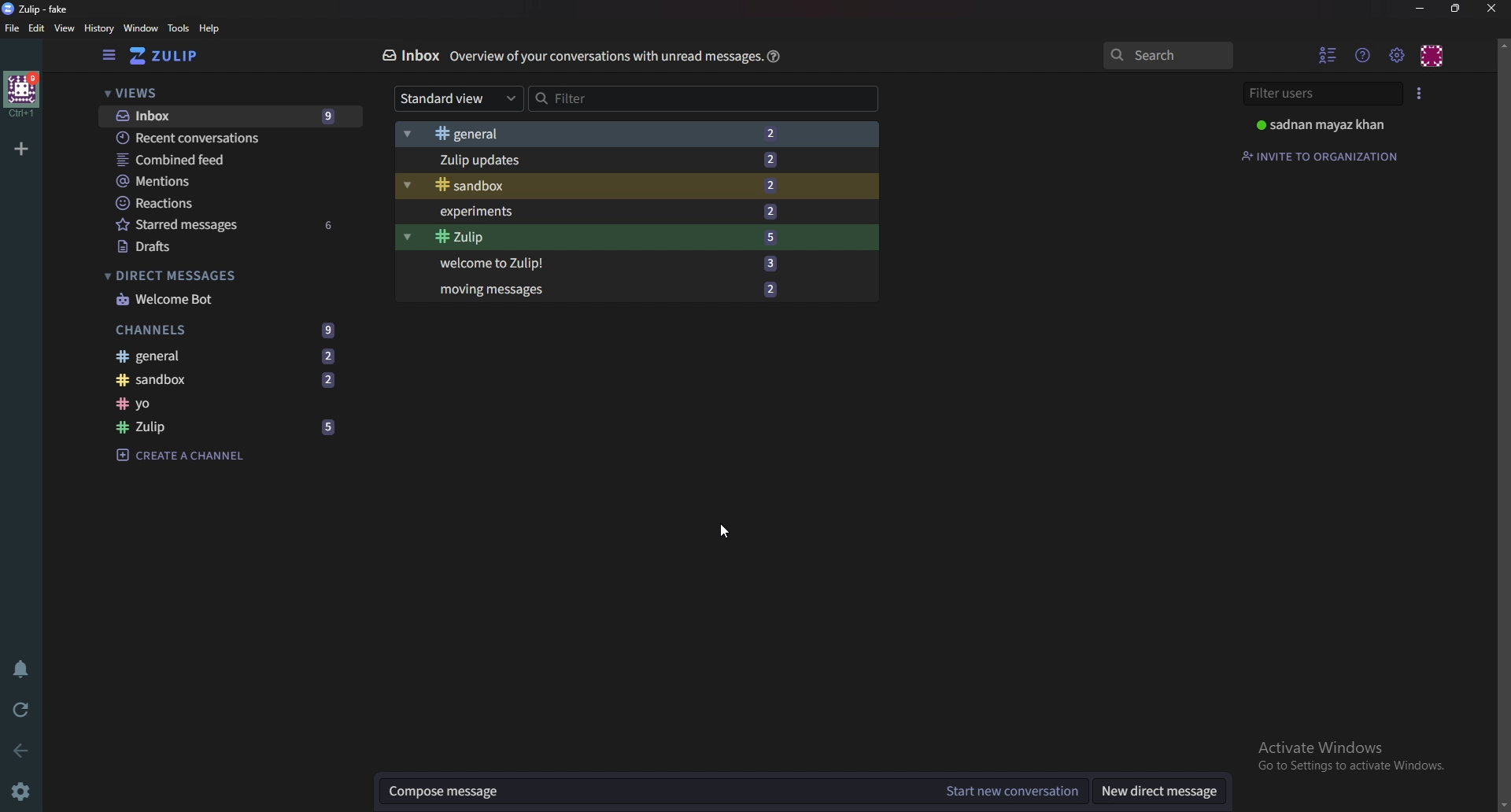 The image size is (1511, 812). Describe the element at coordinates (173, 56) in the screenshot. I see `Zulip Logo` at that location.